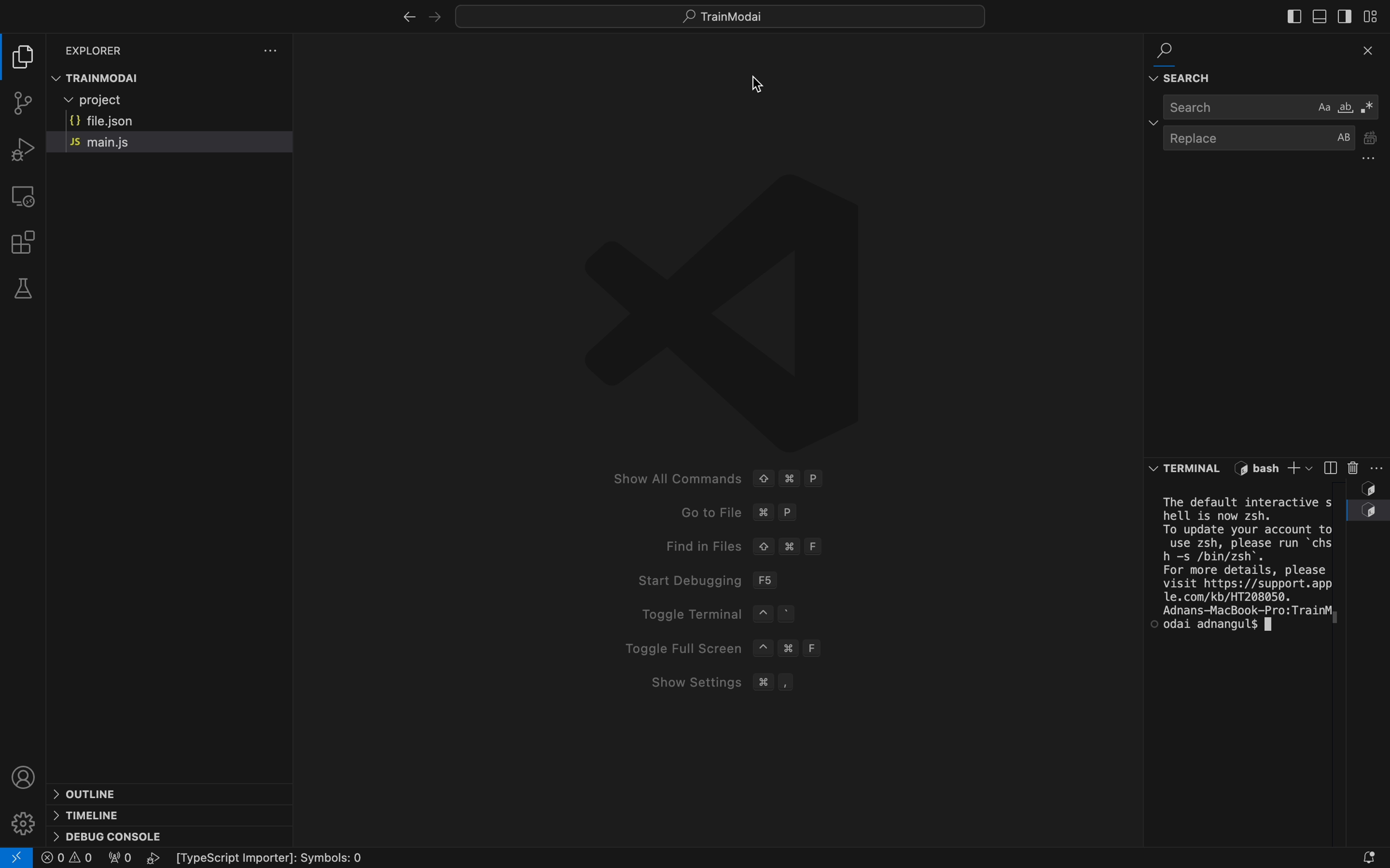 The image size is (1390, 868). What do you see at coordinates (24, 289) in the screenshot?
I see `tests` at bounding box center [24, 289].